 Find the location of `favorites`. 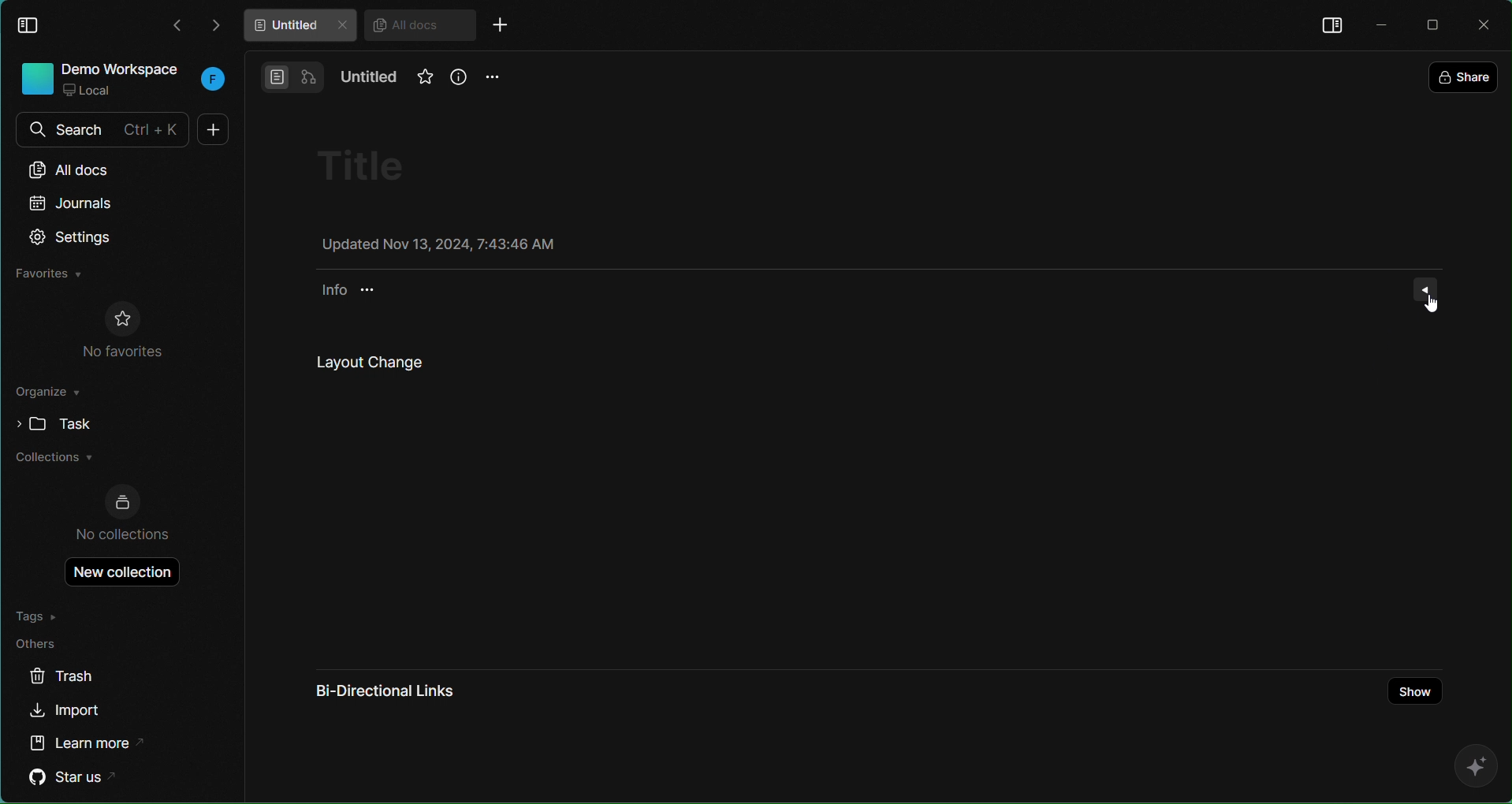

favorites is located at coordinates (49, 274).